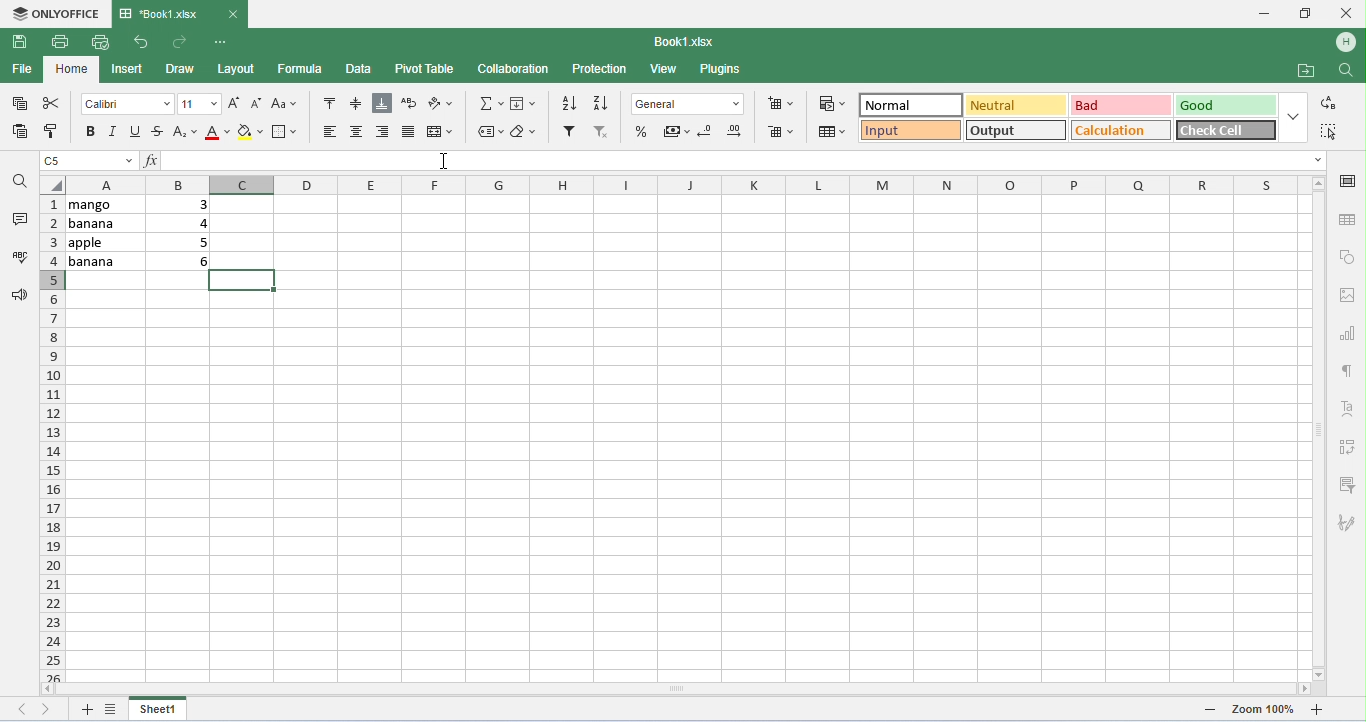  Describe the element at coordinates (158, 131) in the screenshot. I see `strikethrough` at that location.